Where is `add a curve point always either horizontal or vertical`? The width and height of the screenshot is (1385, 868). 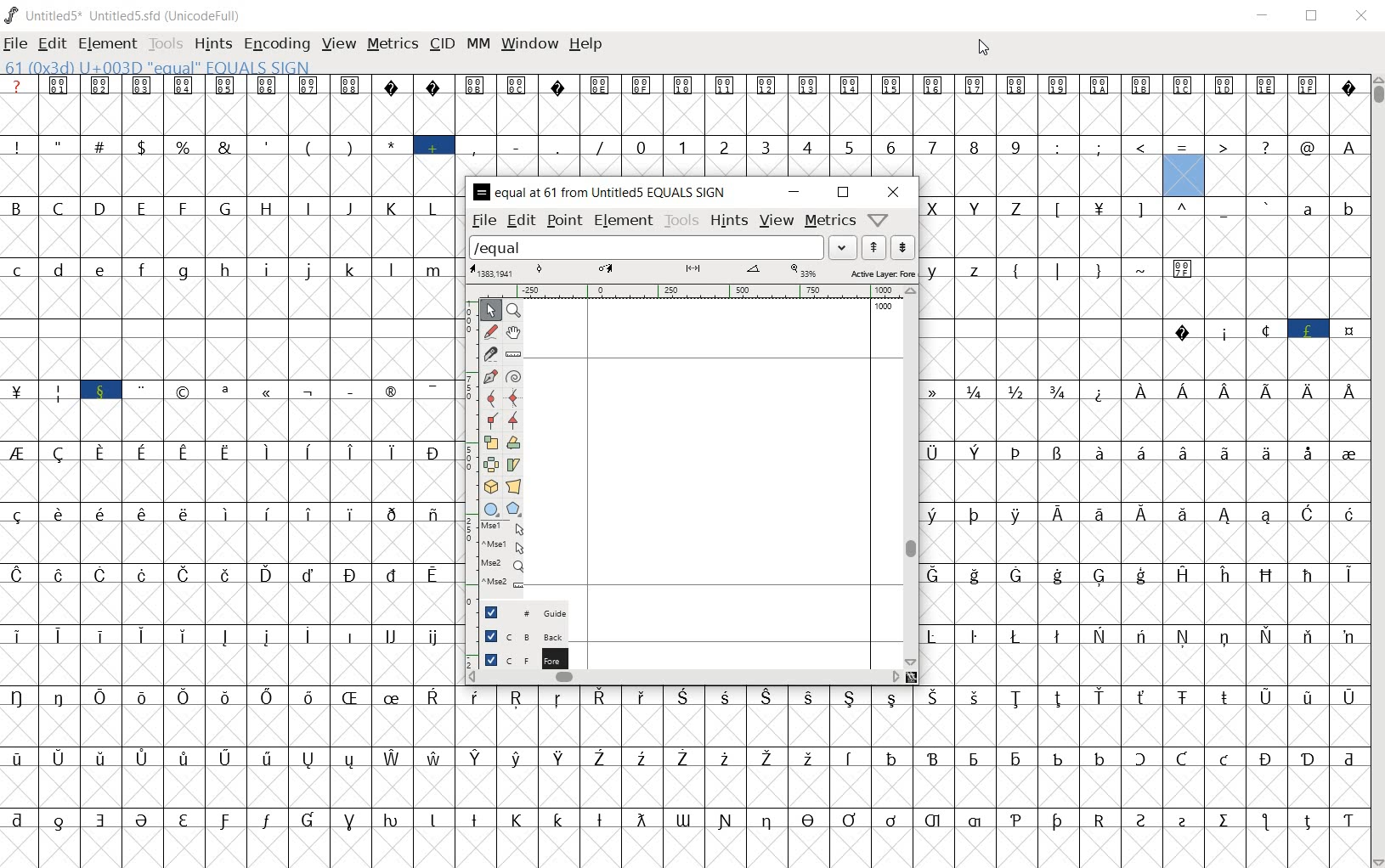
add a curve point always either horizontal or vertical is located at coordinates (514, 397).